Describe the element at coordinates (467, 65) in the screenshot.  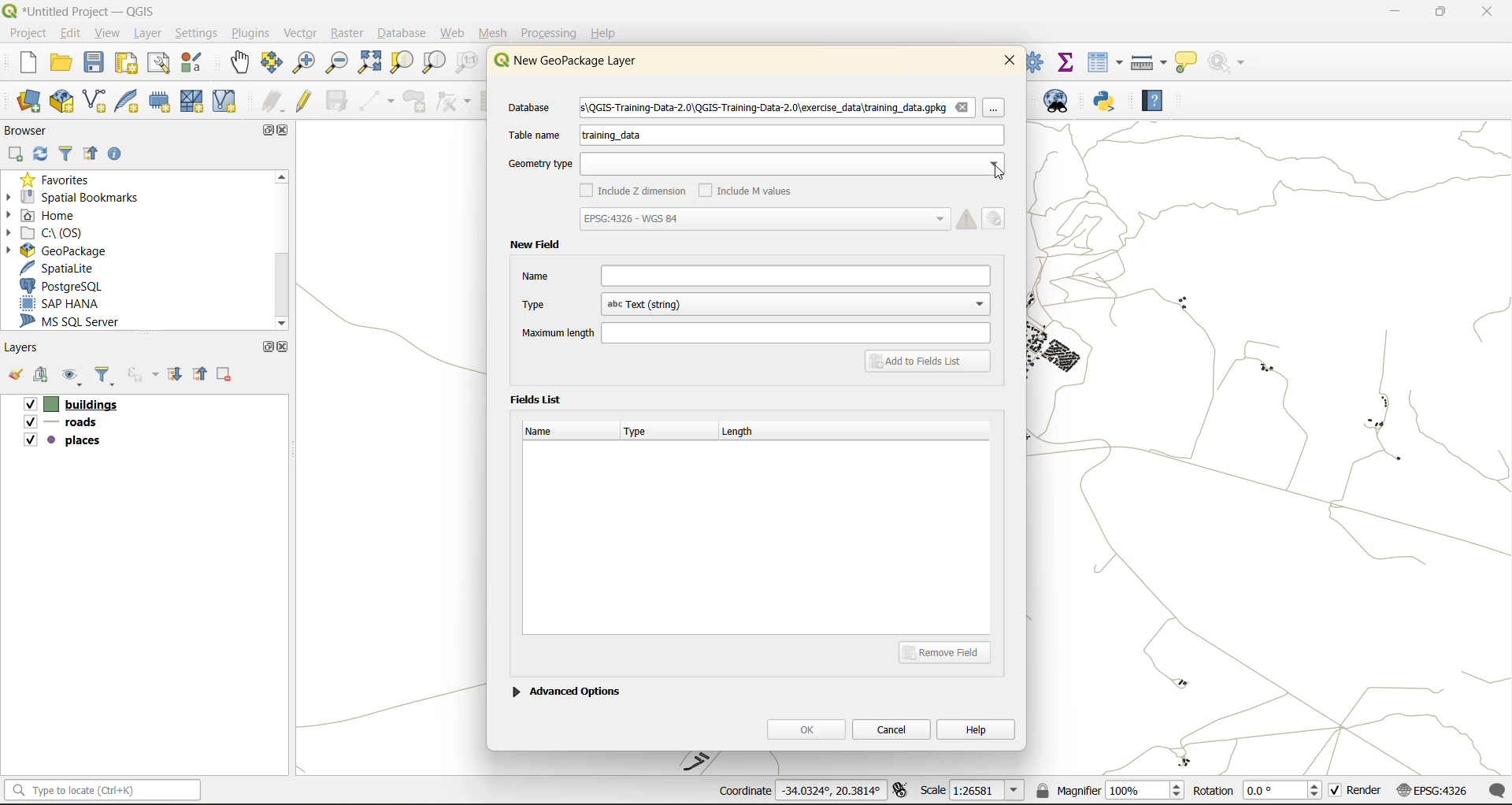
I see `zoom native` at that location.